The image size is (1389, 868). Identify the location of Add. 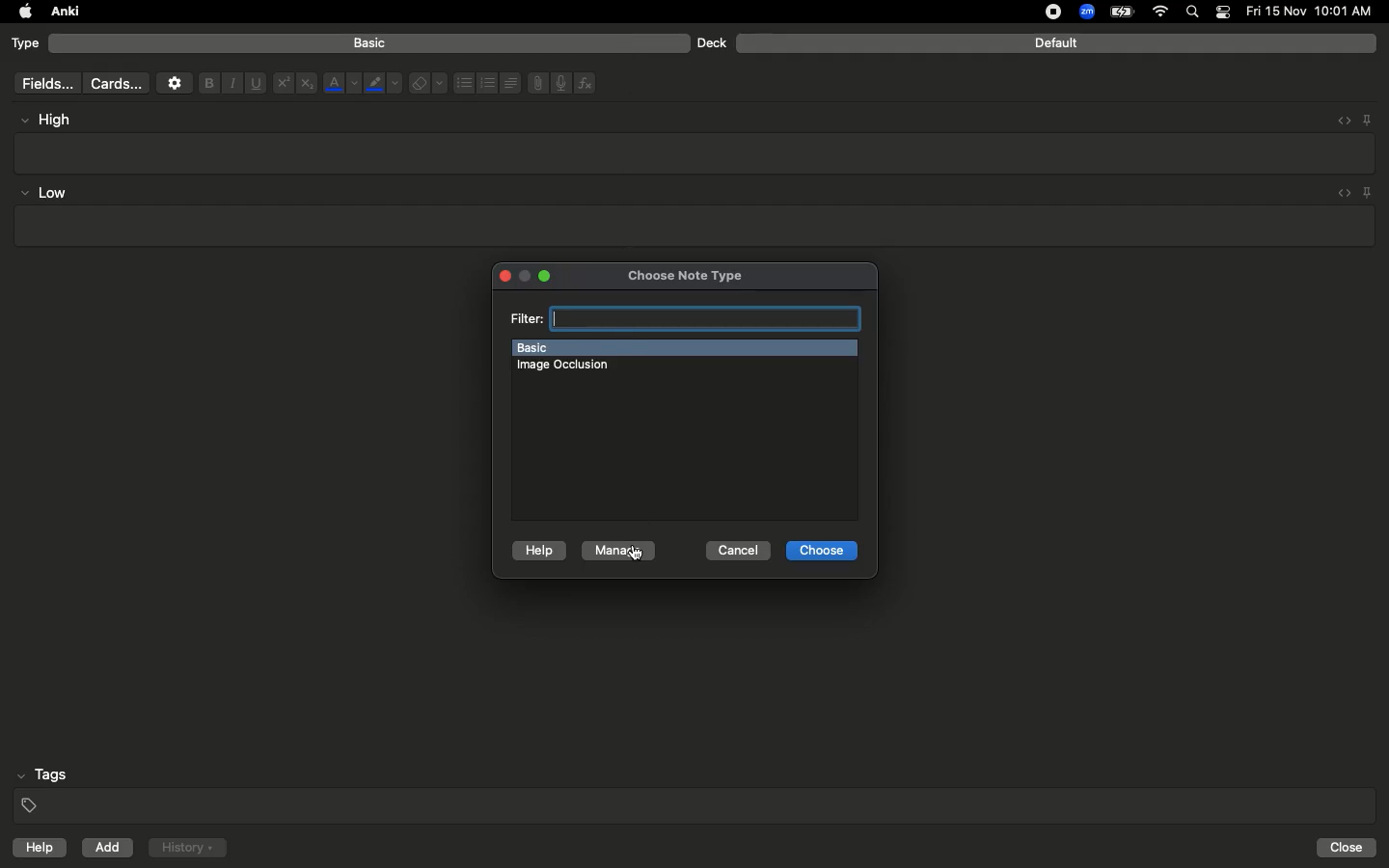
(109, 848).